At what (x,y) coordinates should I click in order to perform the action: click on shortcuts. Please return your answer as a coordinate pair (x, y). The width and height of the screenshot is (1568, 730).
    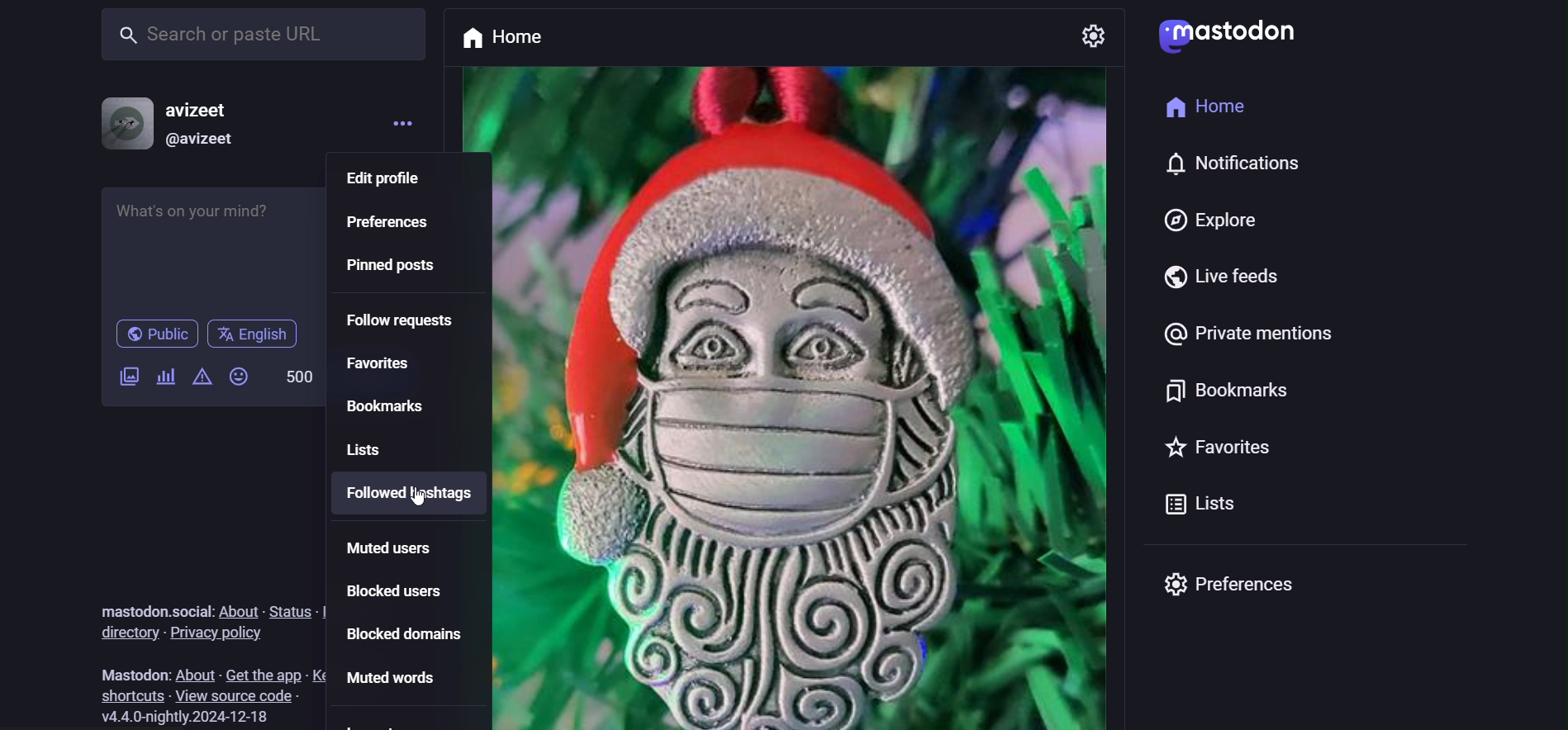
    Looking at the image, I should click on (128, 695).